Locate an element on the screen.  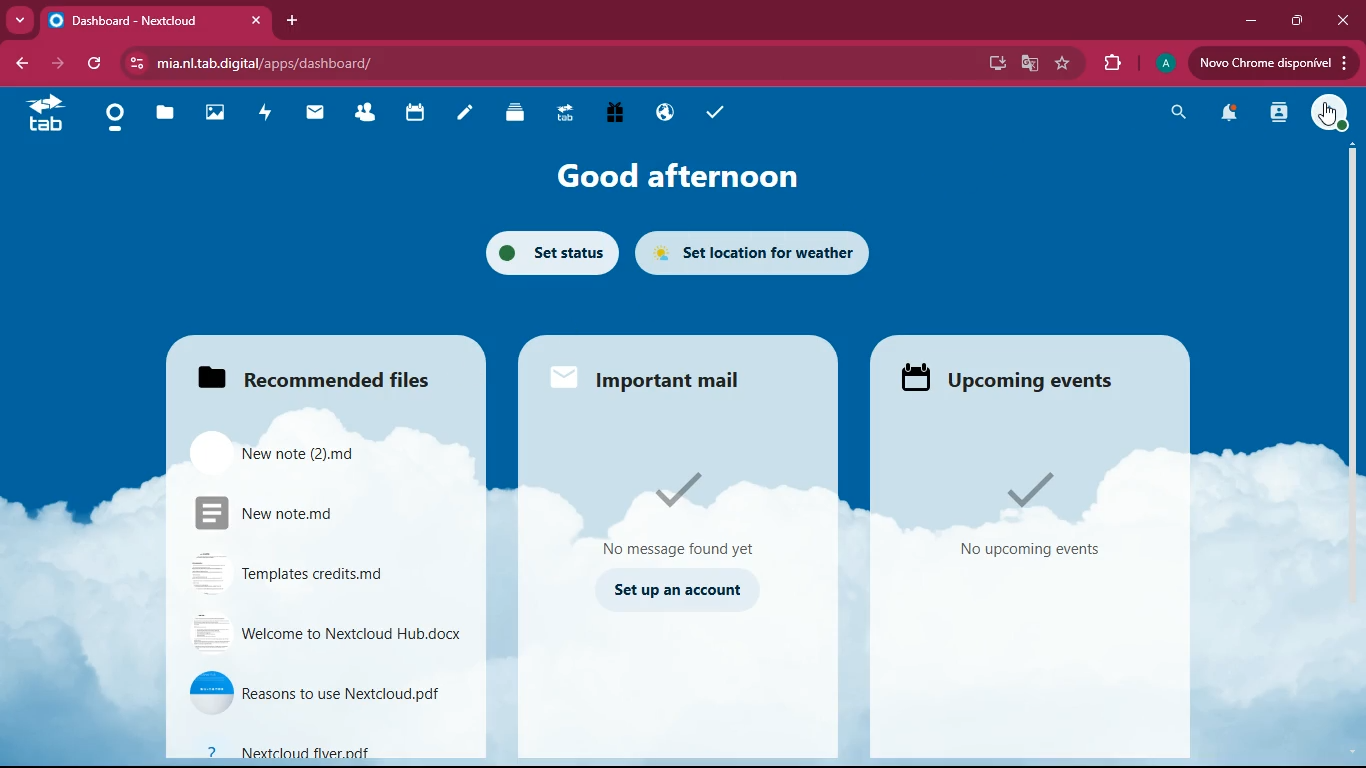
more is located at coordinates (19, 21).